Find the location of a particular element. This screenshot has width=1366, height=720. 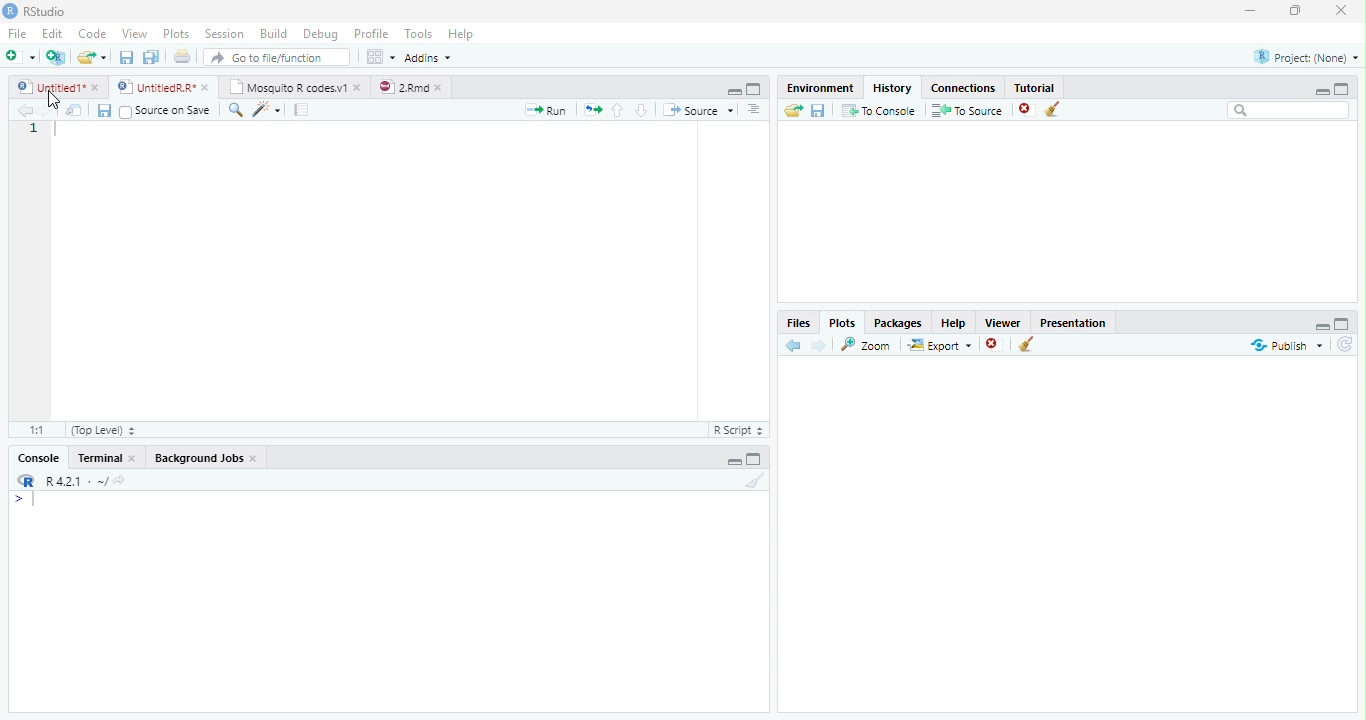

Files is located at coordinates (798, 321).